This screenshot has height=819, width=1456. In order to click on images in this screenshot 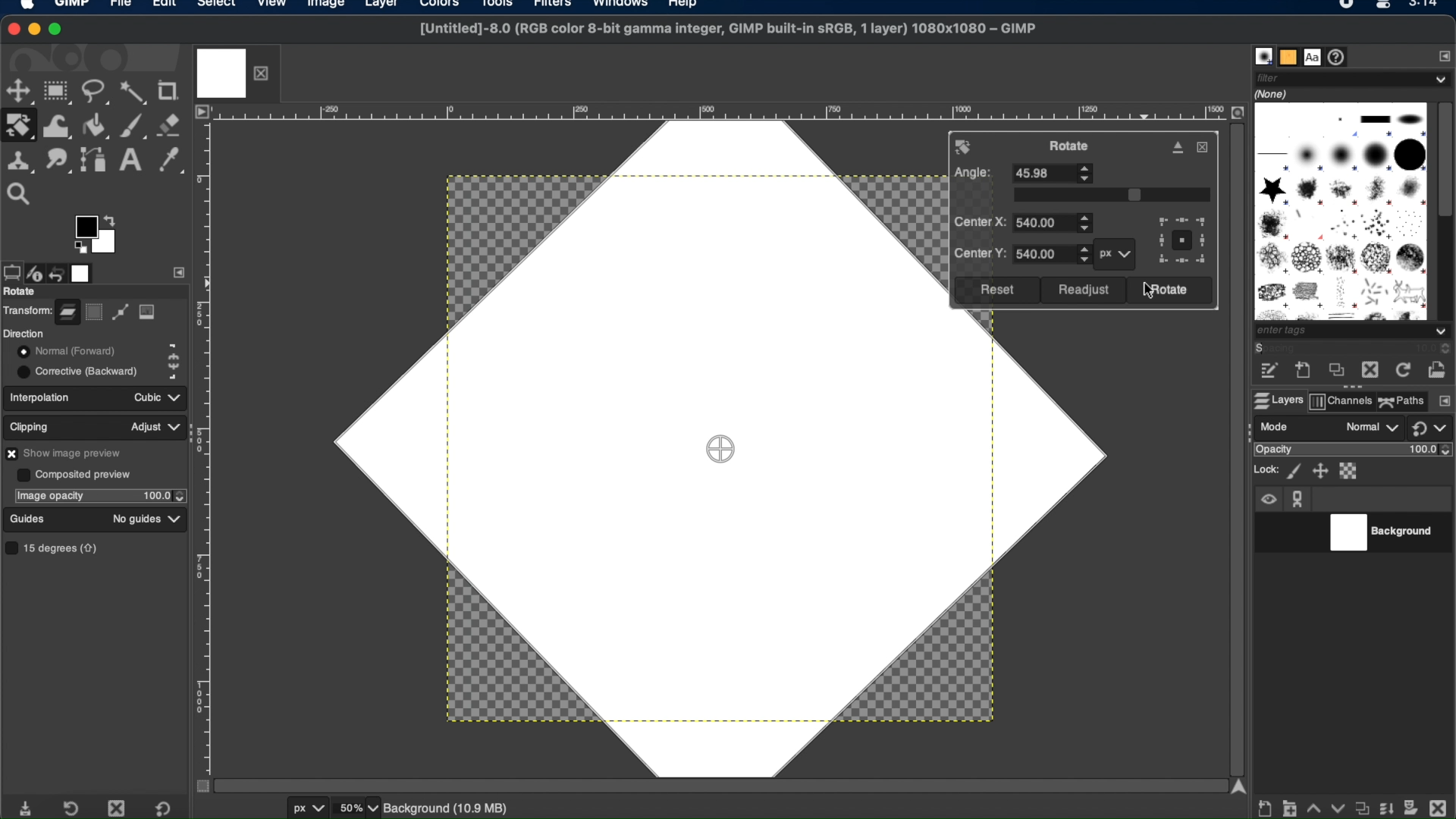, I will do `click(83, 272)`.